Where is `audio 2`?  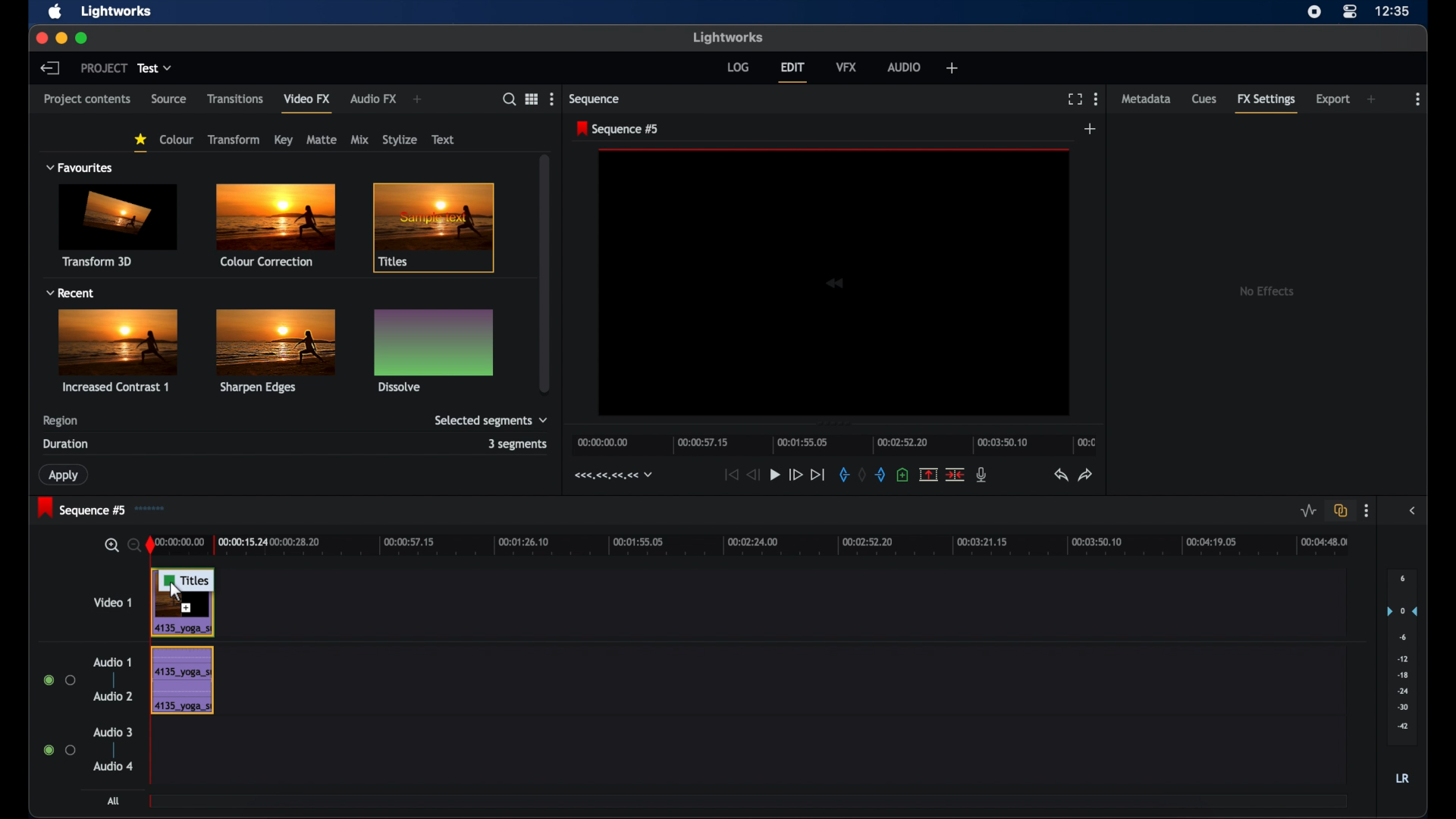
audio 2 is located at coordinates (112, 696).